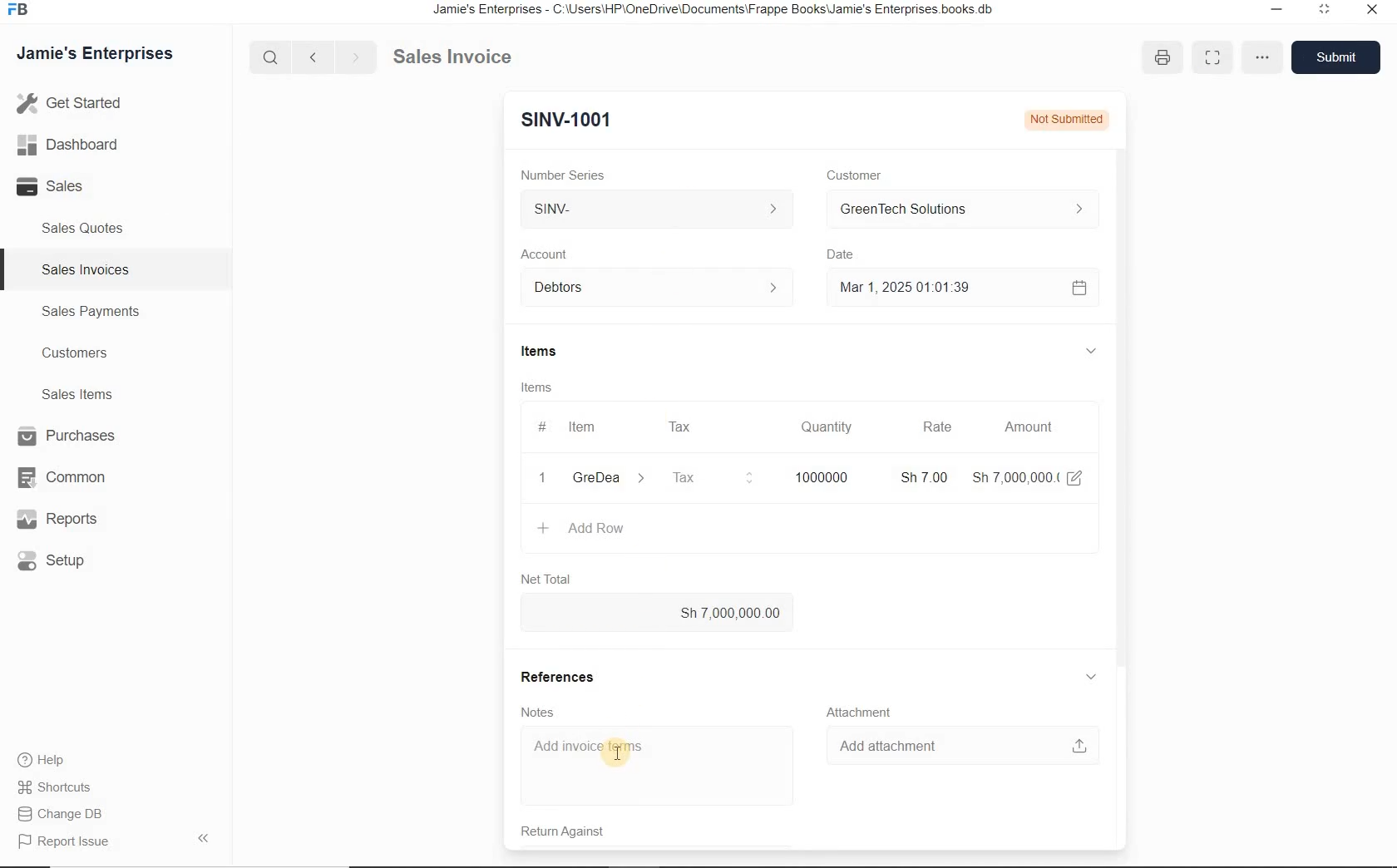 Image resolution: width=1397 pixels, height=868 pixels. Describe the element at coordinates (649, 288) in the screenshot. I see `Debtors` at that location.